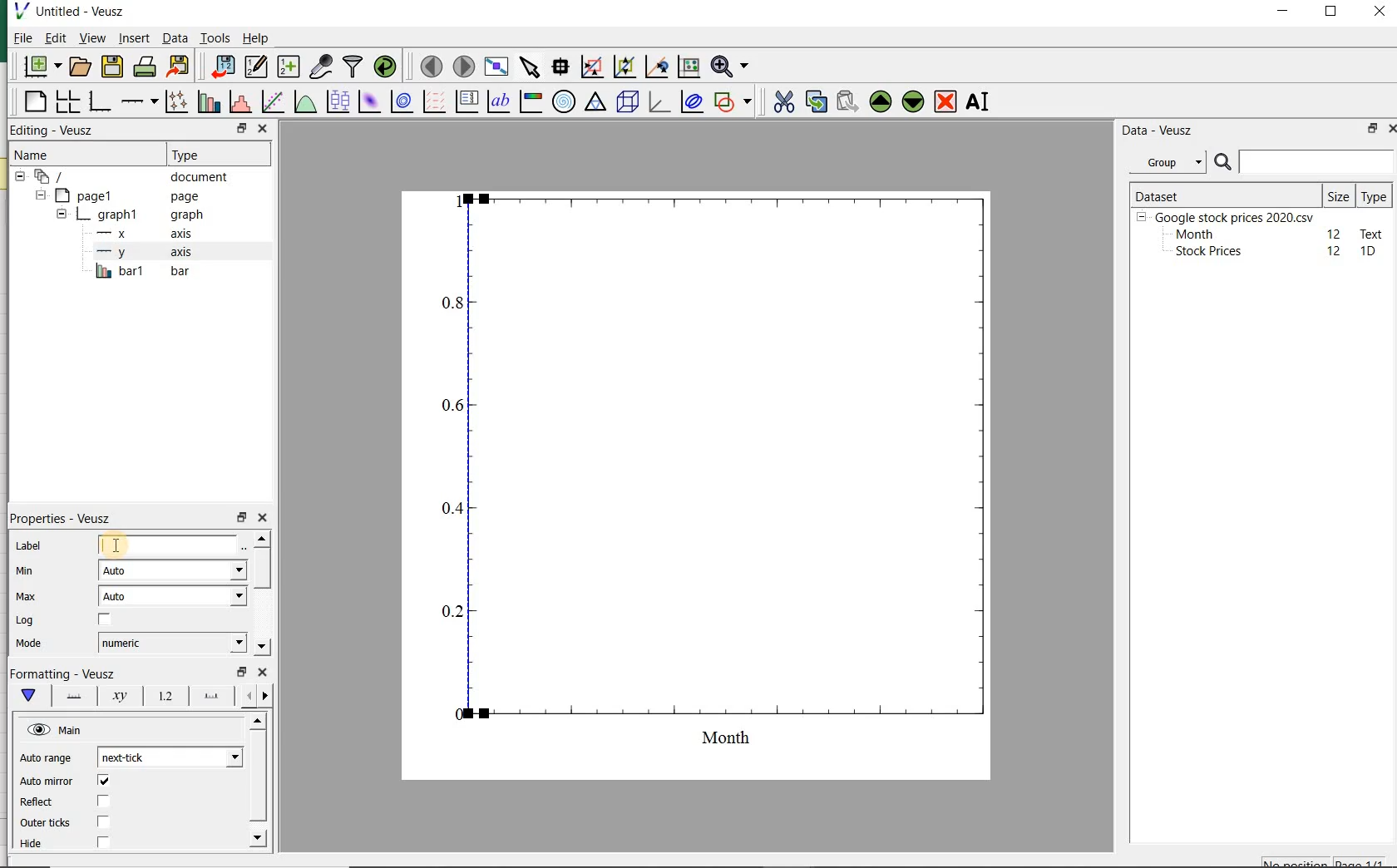 Image resolution: width=1397 pixels, height=868 pixels. I want to click on select items from the graph or scroll, so click(529, 67).